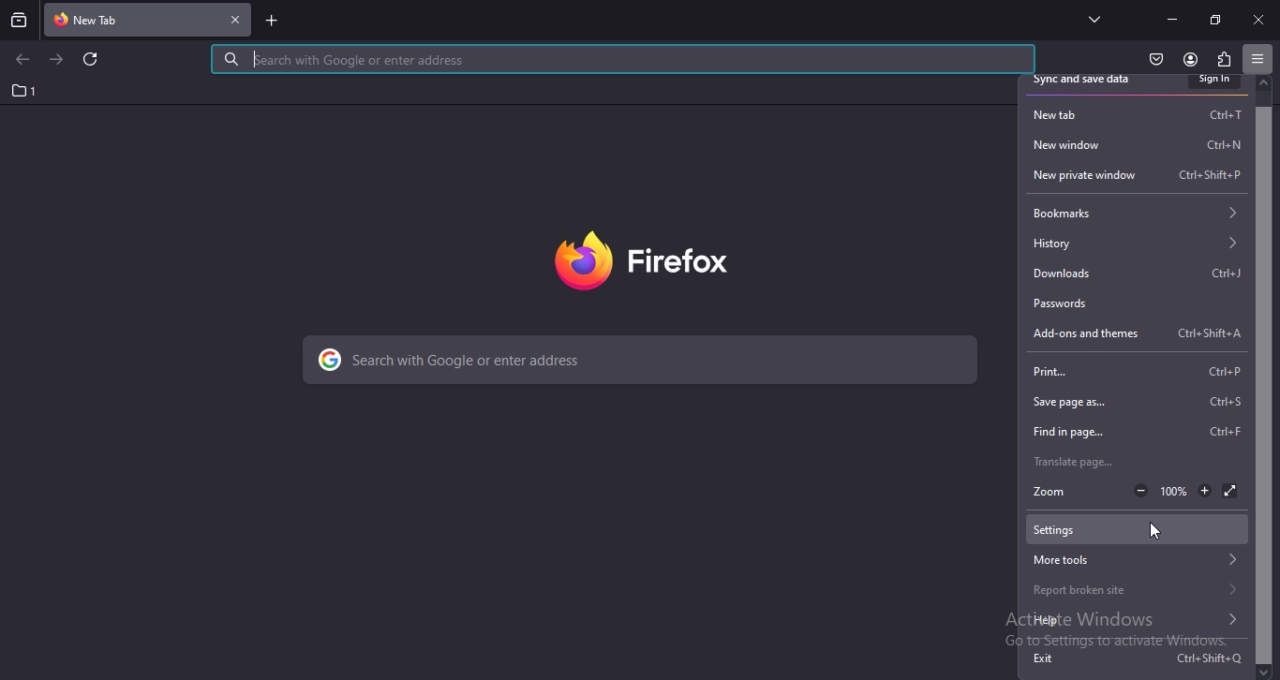 The image size is (1280, 680). What do you see at coordinates (1141, 490) in the screenshot?
I see `zoom out` at bounding box center [1141, 490].